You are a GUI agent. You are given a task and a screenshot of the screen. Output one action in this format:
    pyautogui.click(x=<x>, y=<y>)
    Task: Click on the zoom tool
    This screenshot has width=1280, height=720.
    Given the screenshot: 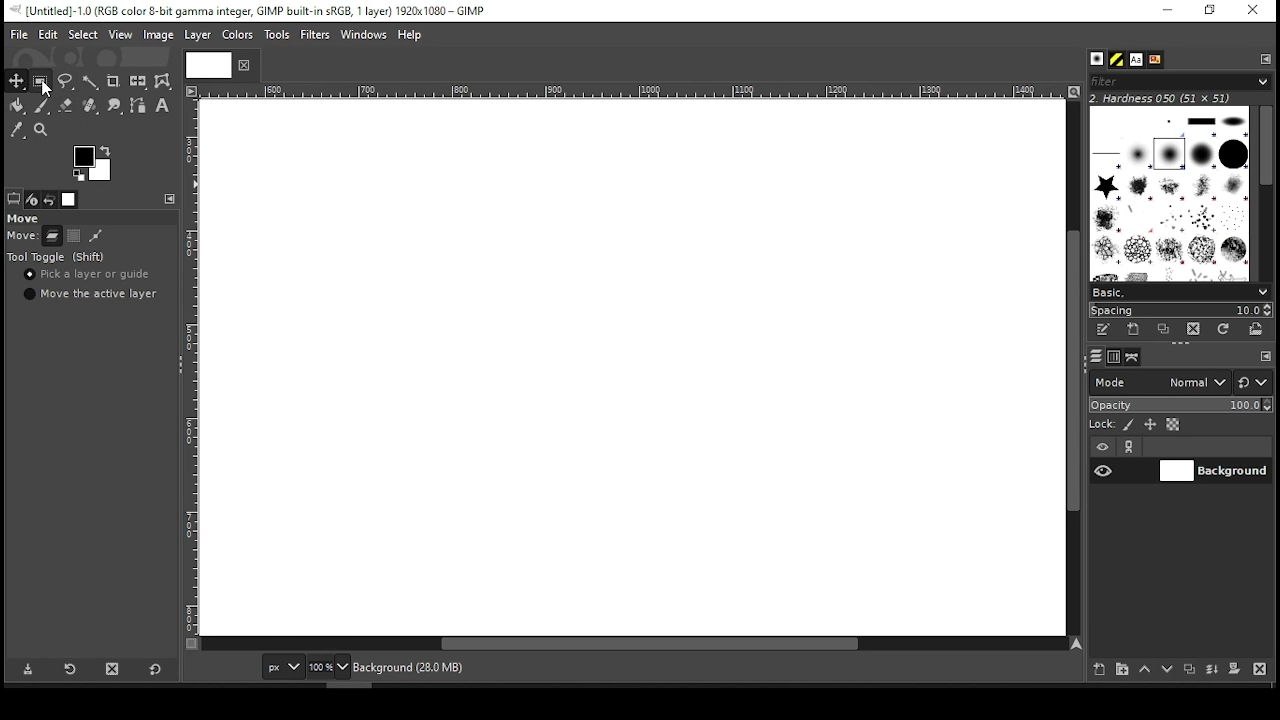 What is the action you would take?
    pyautogui.click(x=42, y=131)
    